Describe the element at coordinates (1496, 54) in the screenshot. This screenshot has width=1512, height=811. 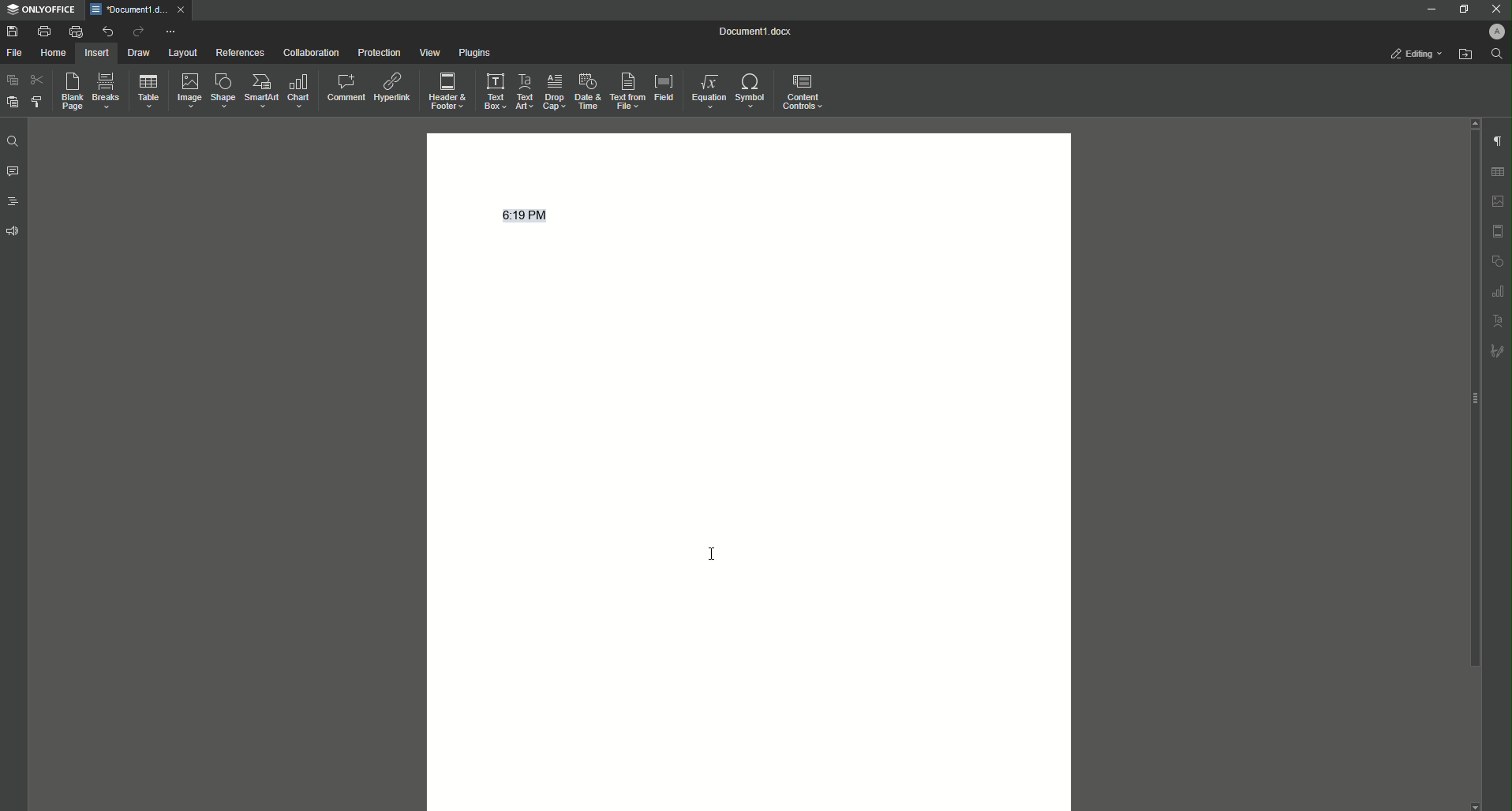
I see `Find` at that location.